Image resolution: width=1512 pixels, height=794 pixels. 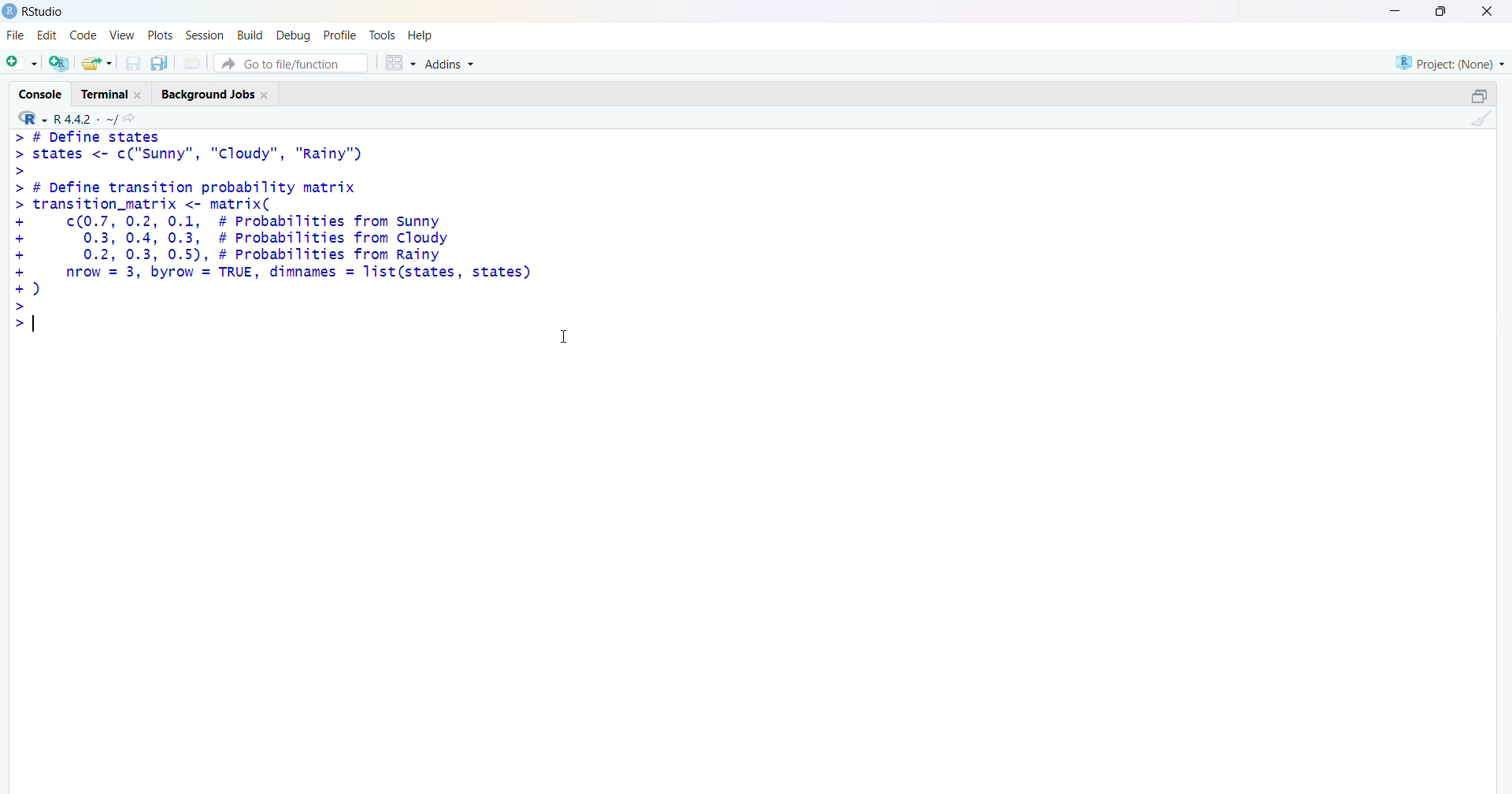 I want to click on view the current working directory, so click(x=134, y=118).